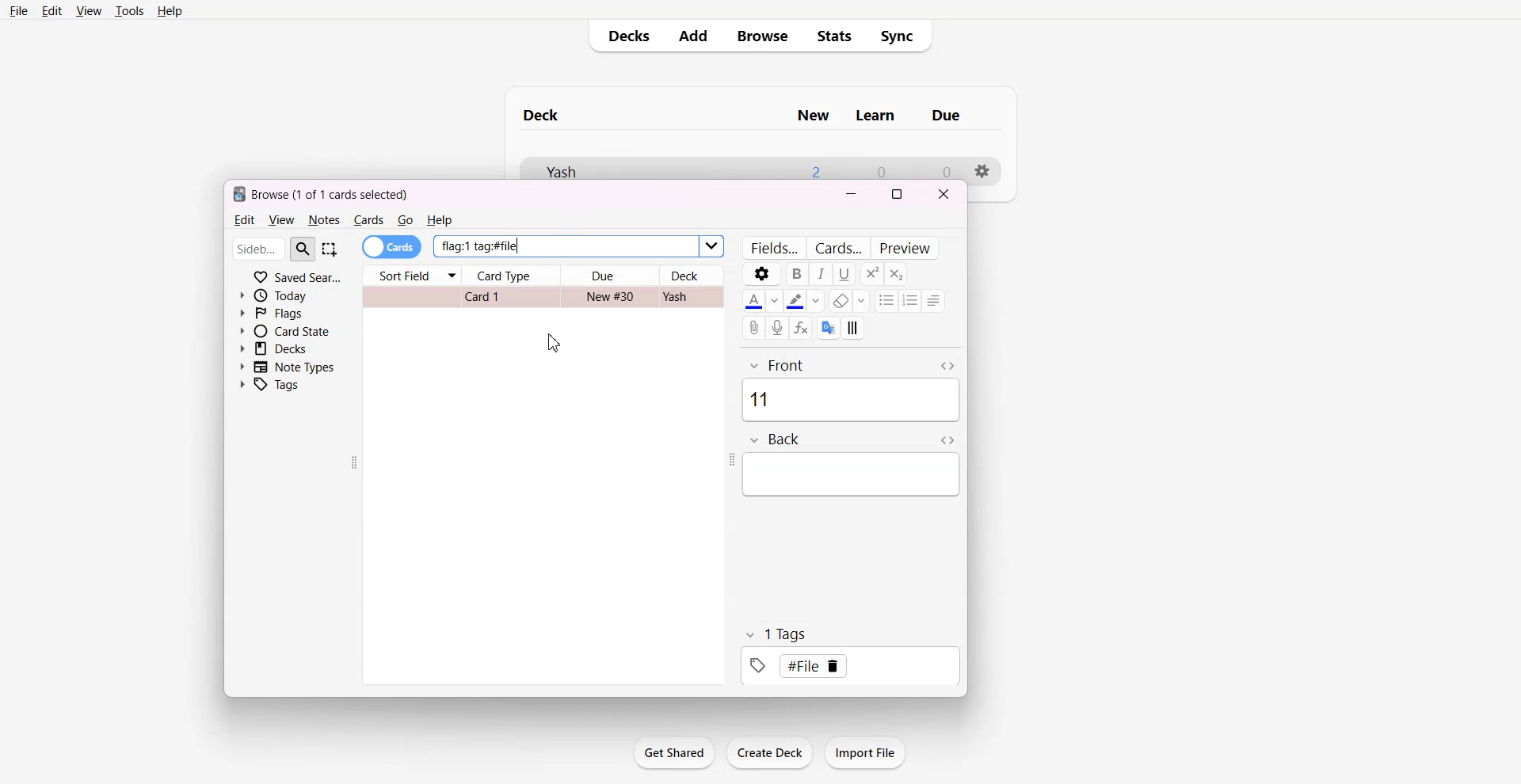 This screenshot has width=1521, height=784. I want to click on Help, so click(440, 221).